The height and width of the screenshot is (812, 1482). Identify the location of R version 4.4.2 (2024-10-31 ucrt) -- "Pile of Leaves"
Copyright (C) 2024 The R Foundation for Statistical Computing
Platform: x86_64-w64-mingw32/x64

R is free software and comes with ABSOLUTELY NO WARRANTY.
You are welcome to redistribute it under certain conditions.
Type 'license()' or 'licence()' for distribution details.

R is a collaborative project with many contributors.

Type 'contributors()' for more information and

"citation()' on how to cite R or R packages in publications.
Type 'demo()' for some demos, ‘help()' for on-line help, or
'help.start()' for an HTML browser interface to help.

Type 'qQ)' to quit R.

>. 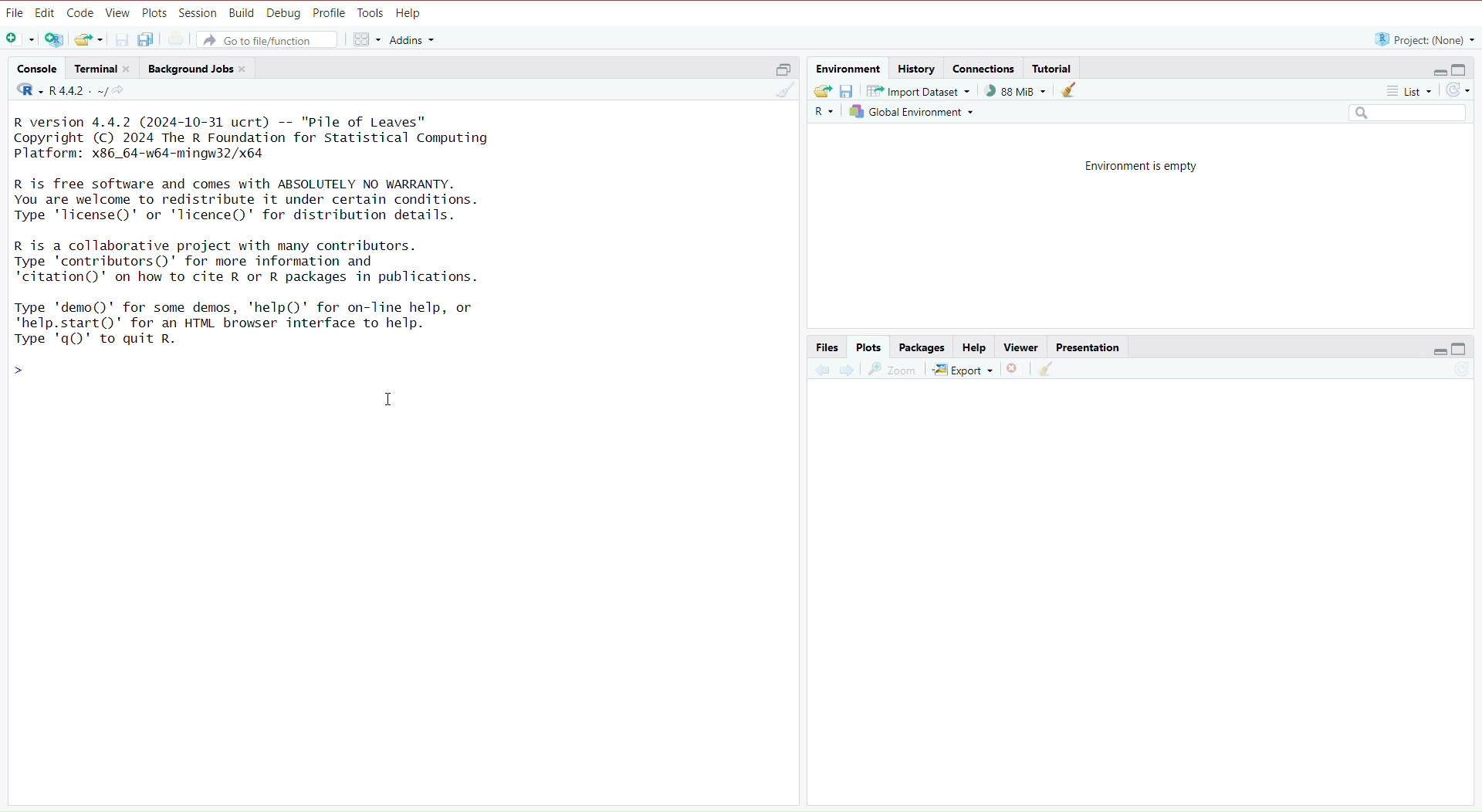
(279, 249).